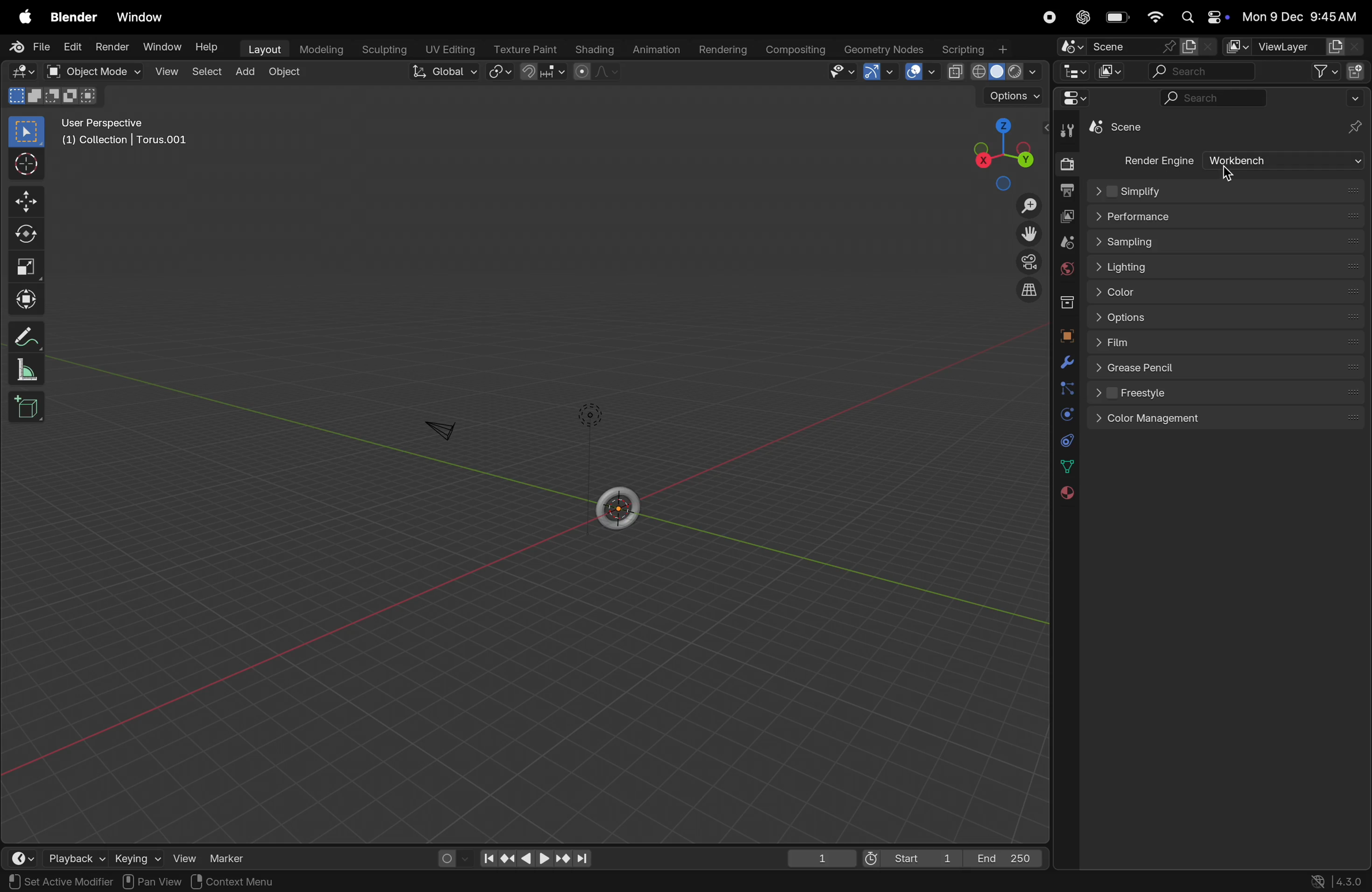  Describe the element at coordinates (1355, 100) in the screenshot. I see `drpp down` at that location.